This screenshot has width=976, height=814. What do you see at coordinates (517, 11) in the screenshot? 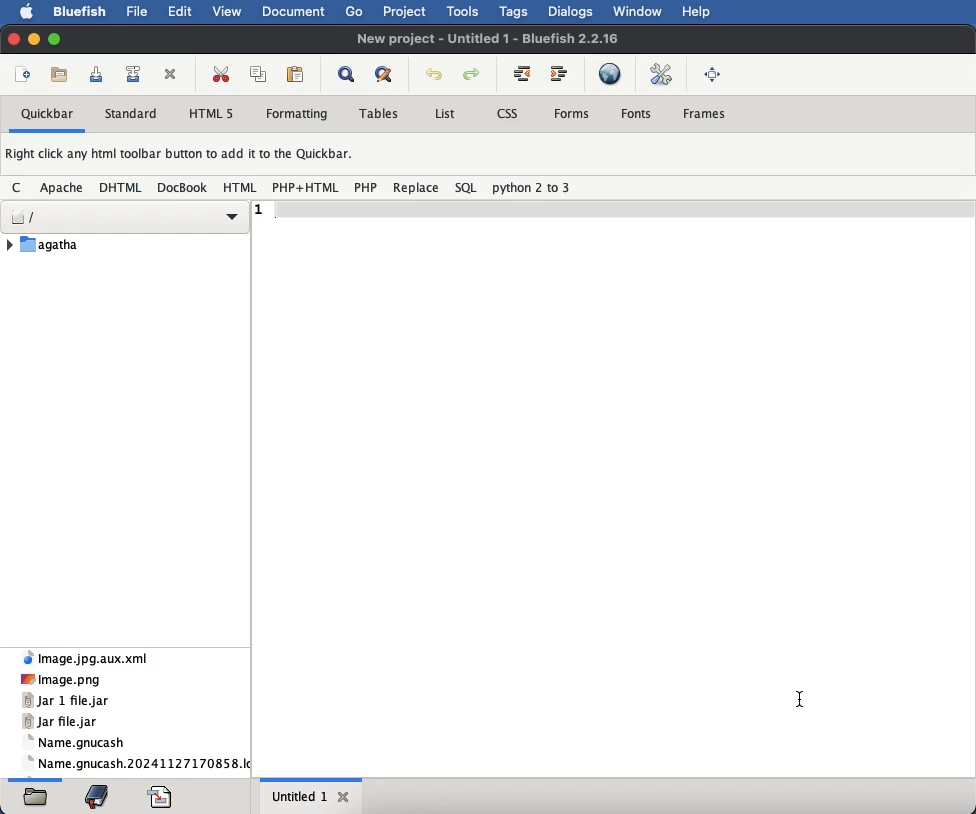
I see `tags` at bounding box center [517, 11].